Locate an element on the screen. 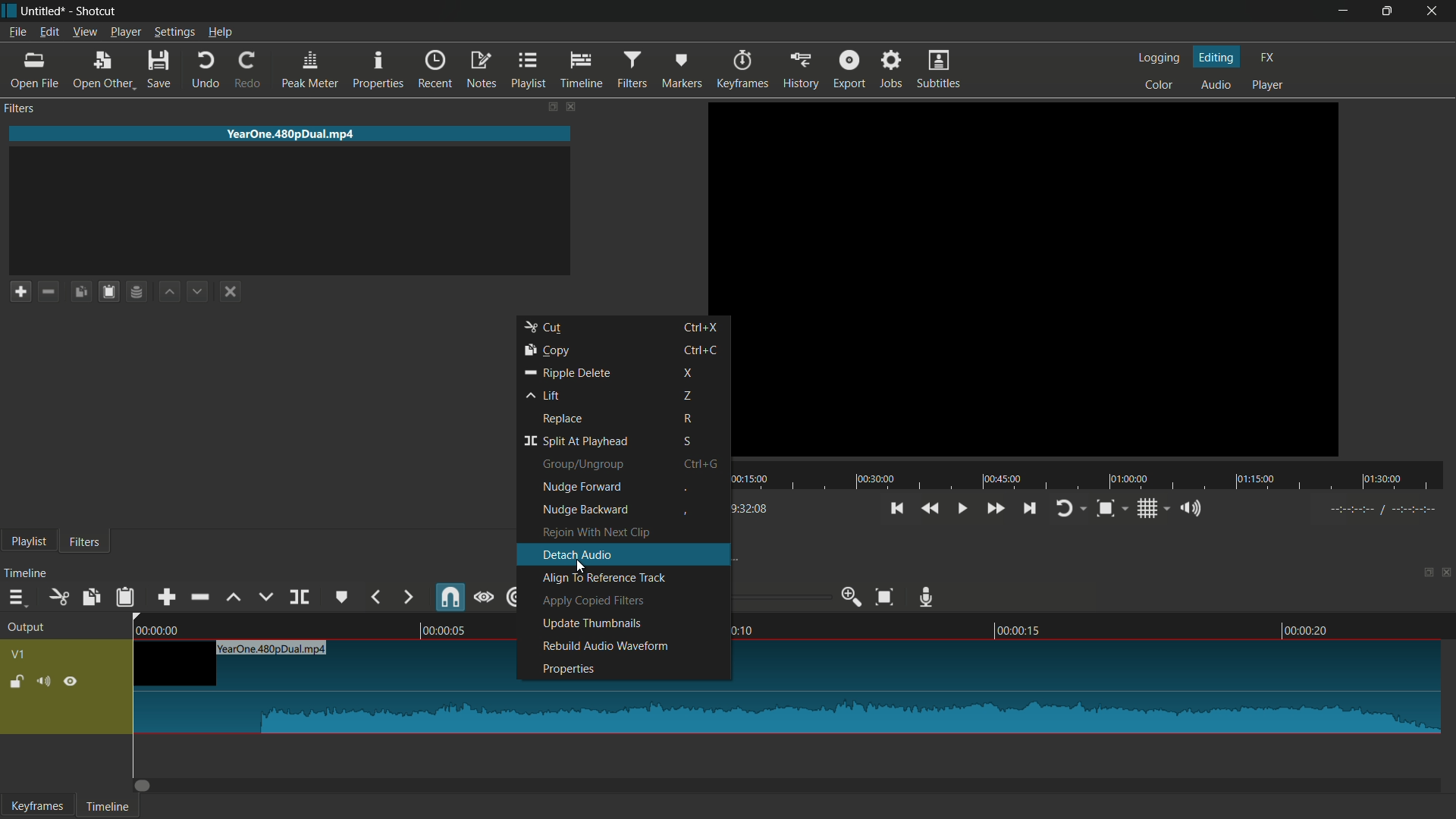 The height and width of the screenshot is (819, 1456). timeline is located at coordinates (27, 572).